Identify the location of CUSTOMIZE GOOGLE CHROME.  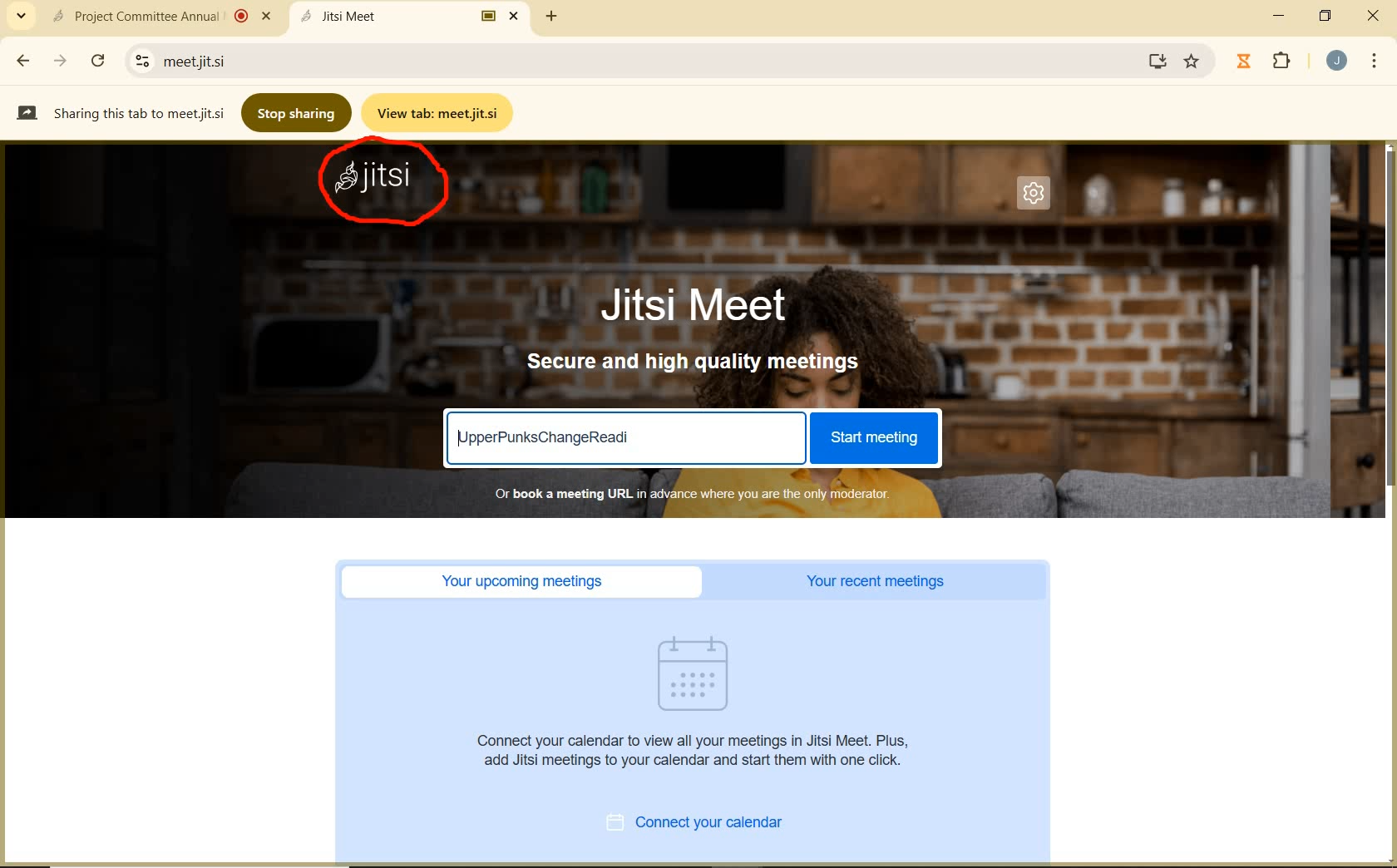
(1375, 62).